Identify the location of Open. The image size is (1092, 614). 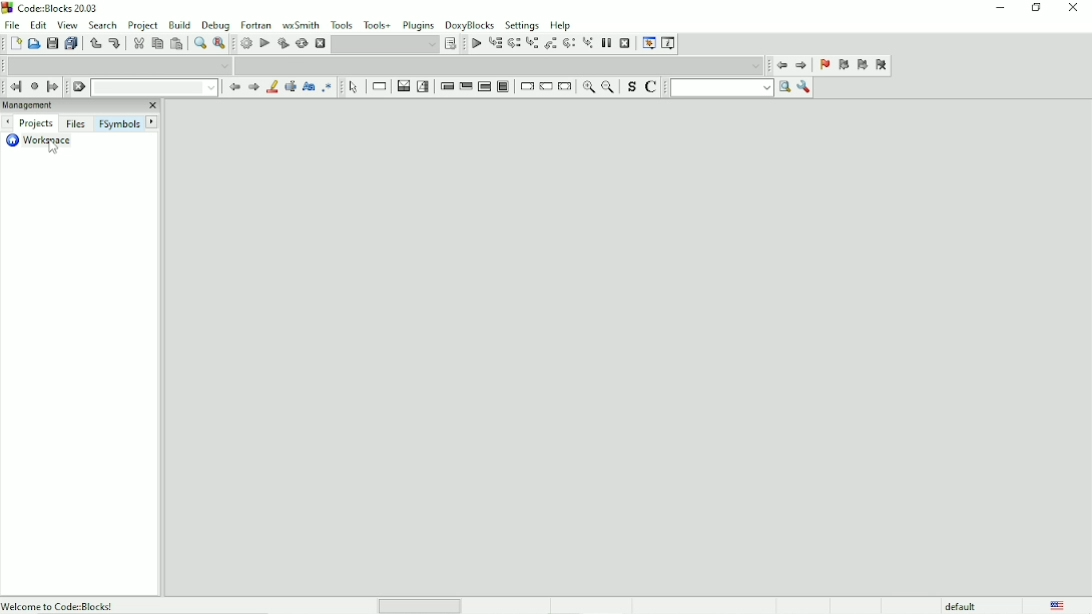
(34, 44).